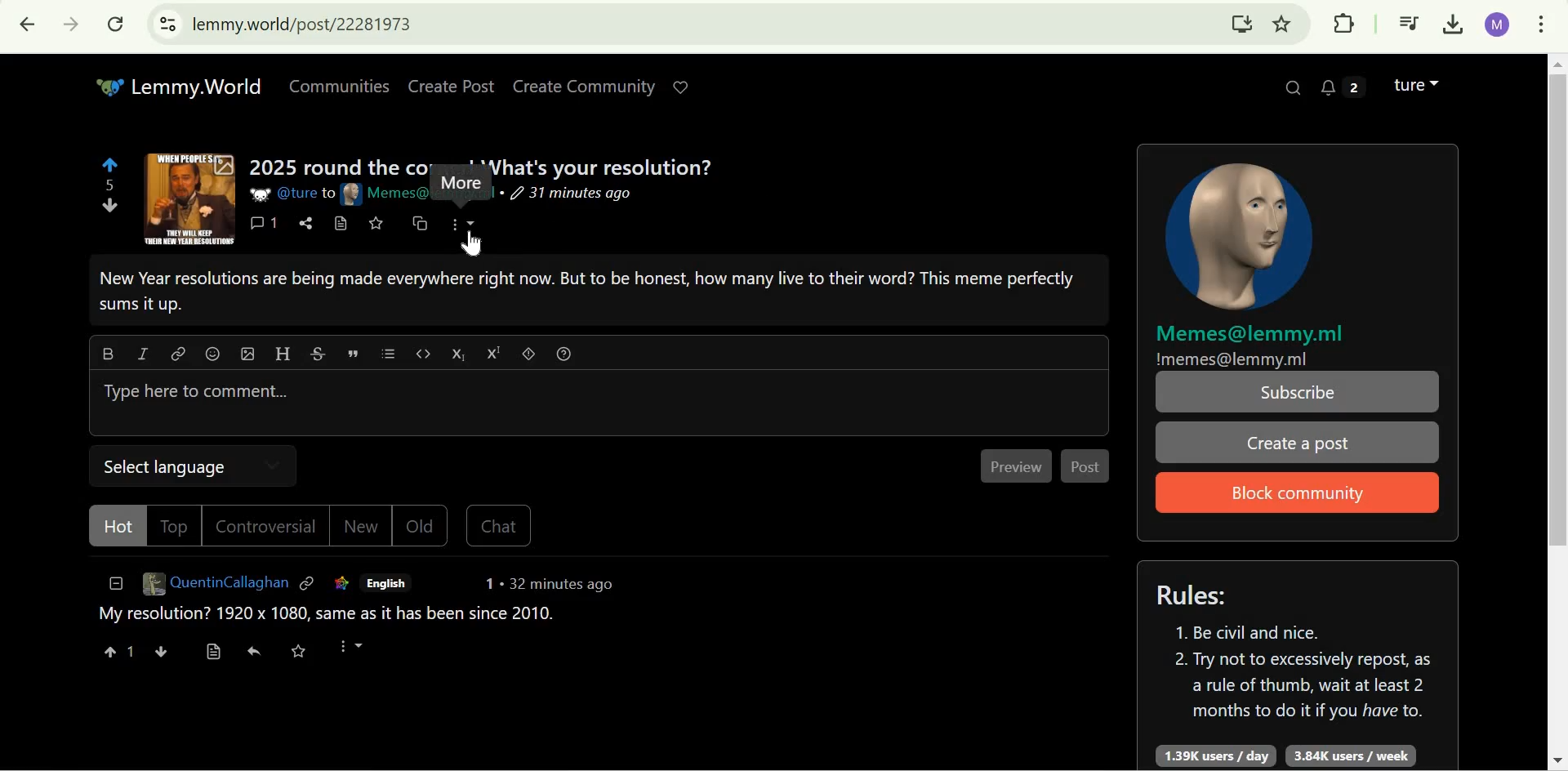 The width and height of the screenshot is (1568, 771). What do you see at coordinates (493, 352) in the screenshot?
I see `` at bounding box center [493, 352].